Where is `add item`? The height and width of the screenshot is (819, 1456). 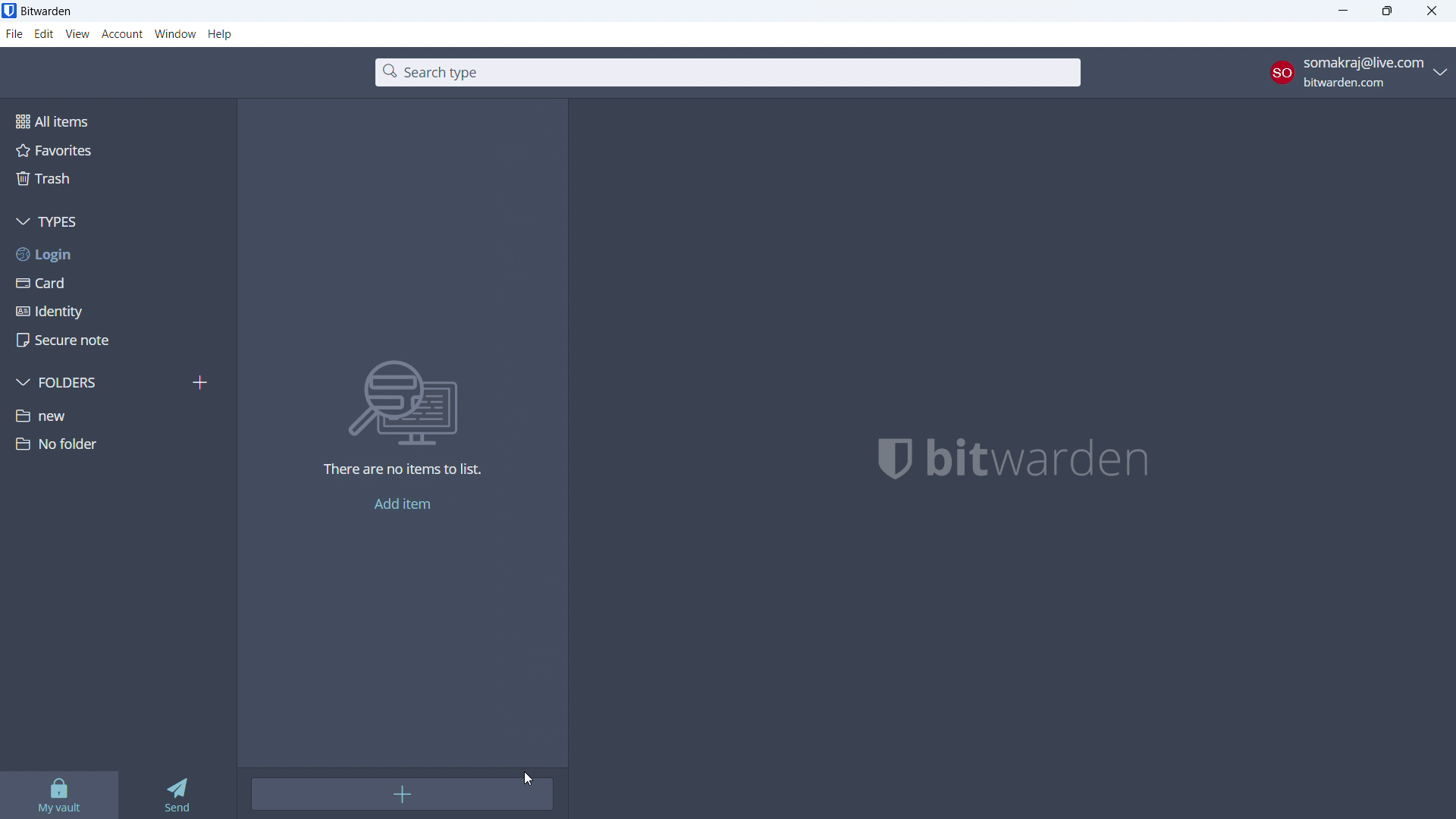
add item is located at coordinates (403, 504).